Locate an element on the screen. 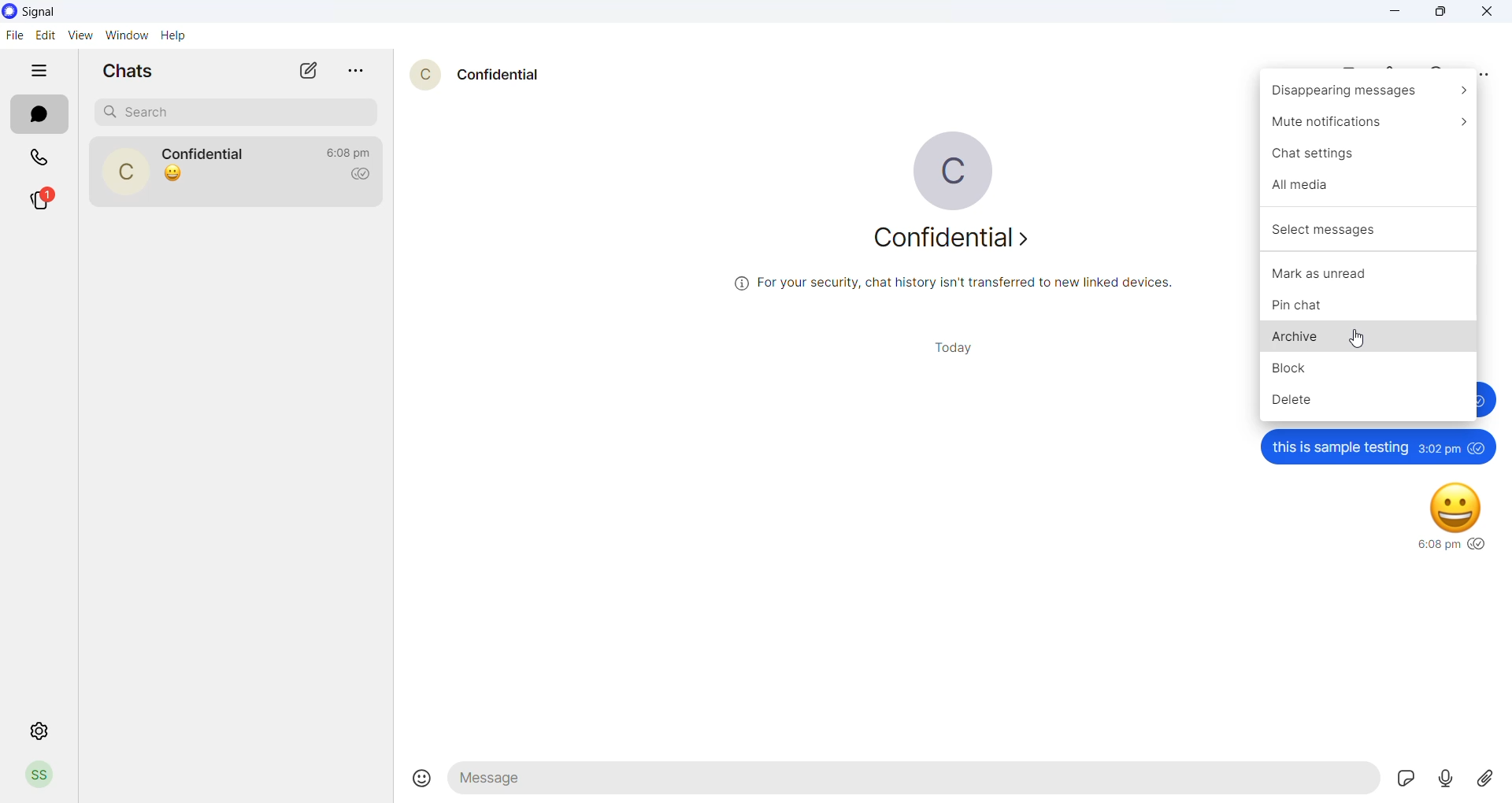 This screenshot has width=1512, height=803. search chats is located at coordinates (231, 114).